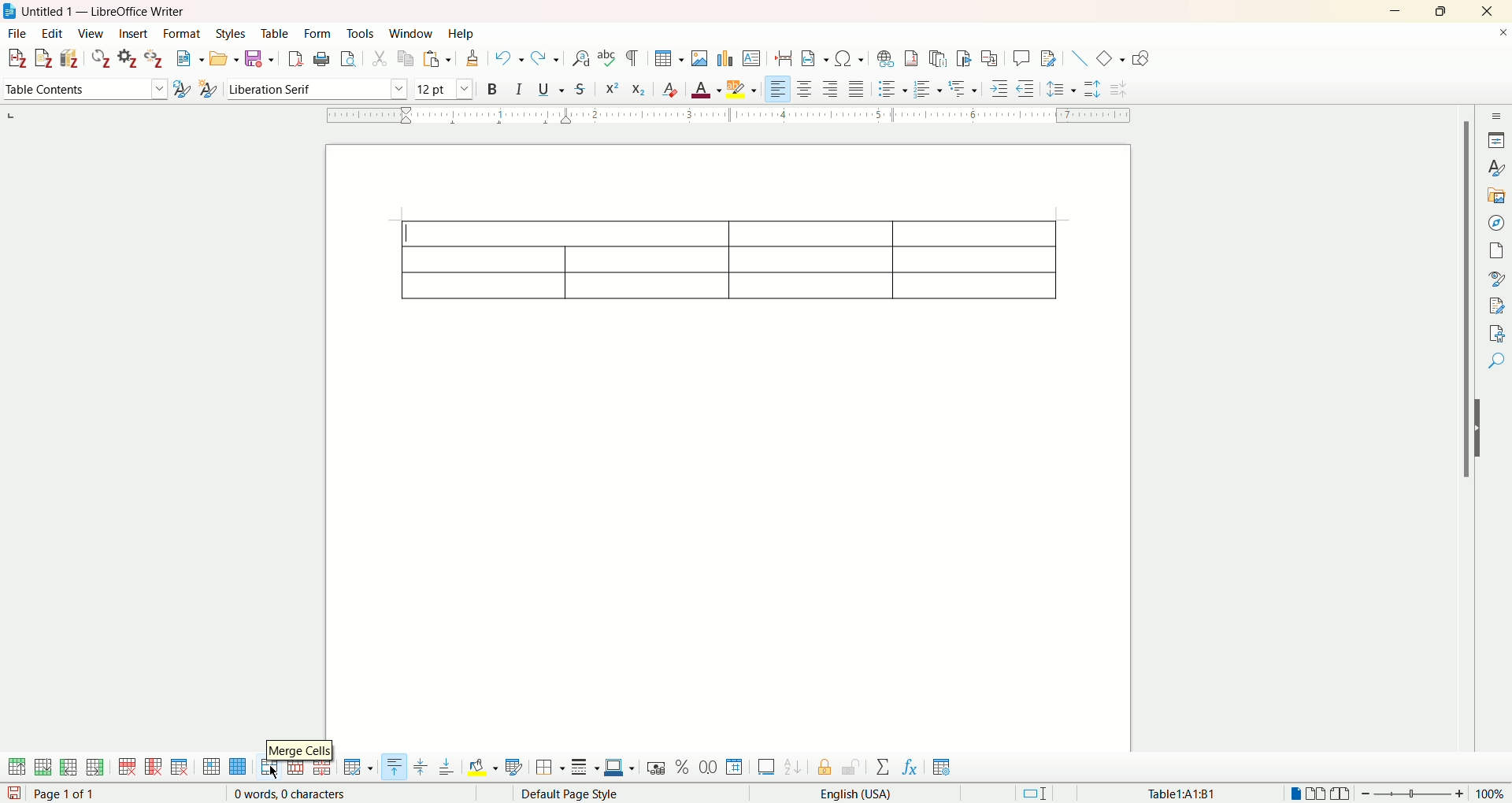 This screenshot has width=1512, height=803. Describe the element at coordinates (699, 57) in the screenshot. I see `insert images` at that location.